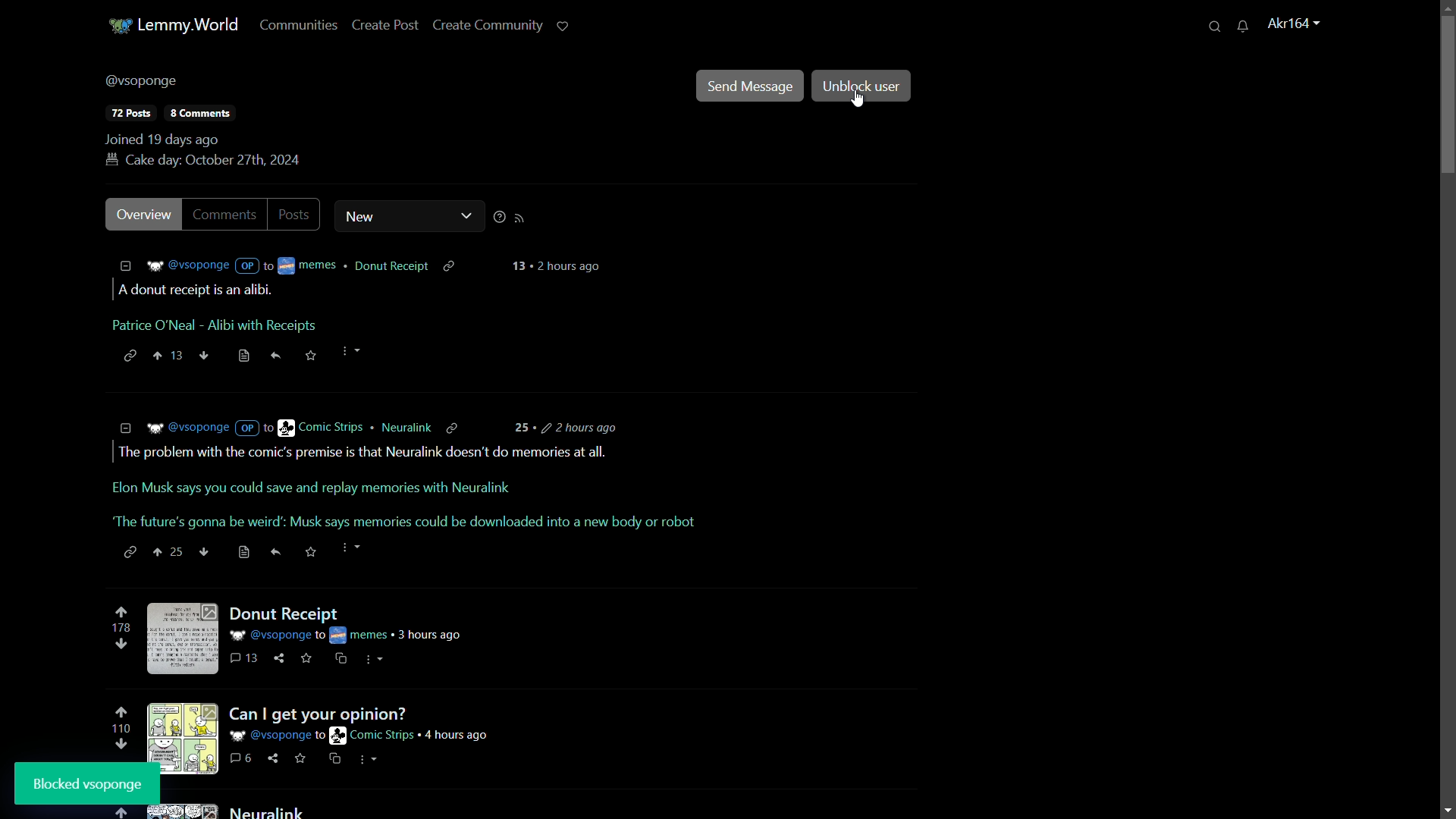 This screenshot has height=819, width=1456. I want to click on copylink, so click(457, 425).